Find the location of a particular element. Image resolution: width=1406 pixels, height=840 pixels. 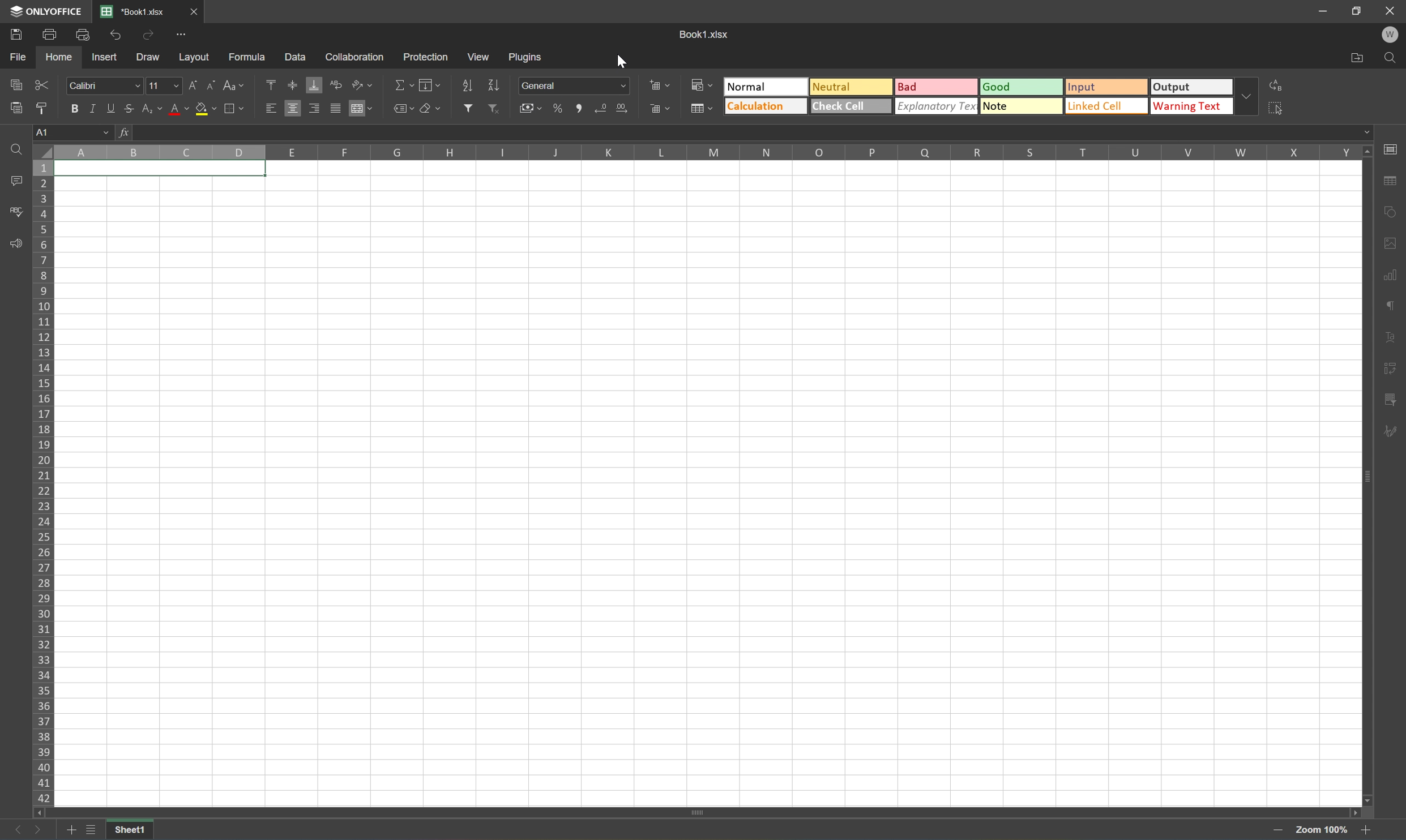

Signature settings is located at coordinates (1390, 436).